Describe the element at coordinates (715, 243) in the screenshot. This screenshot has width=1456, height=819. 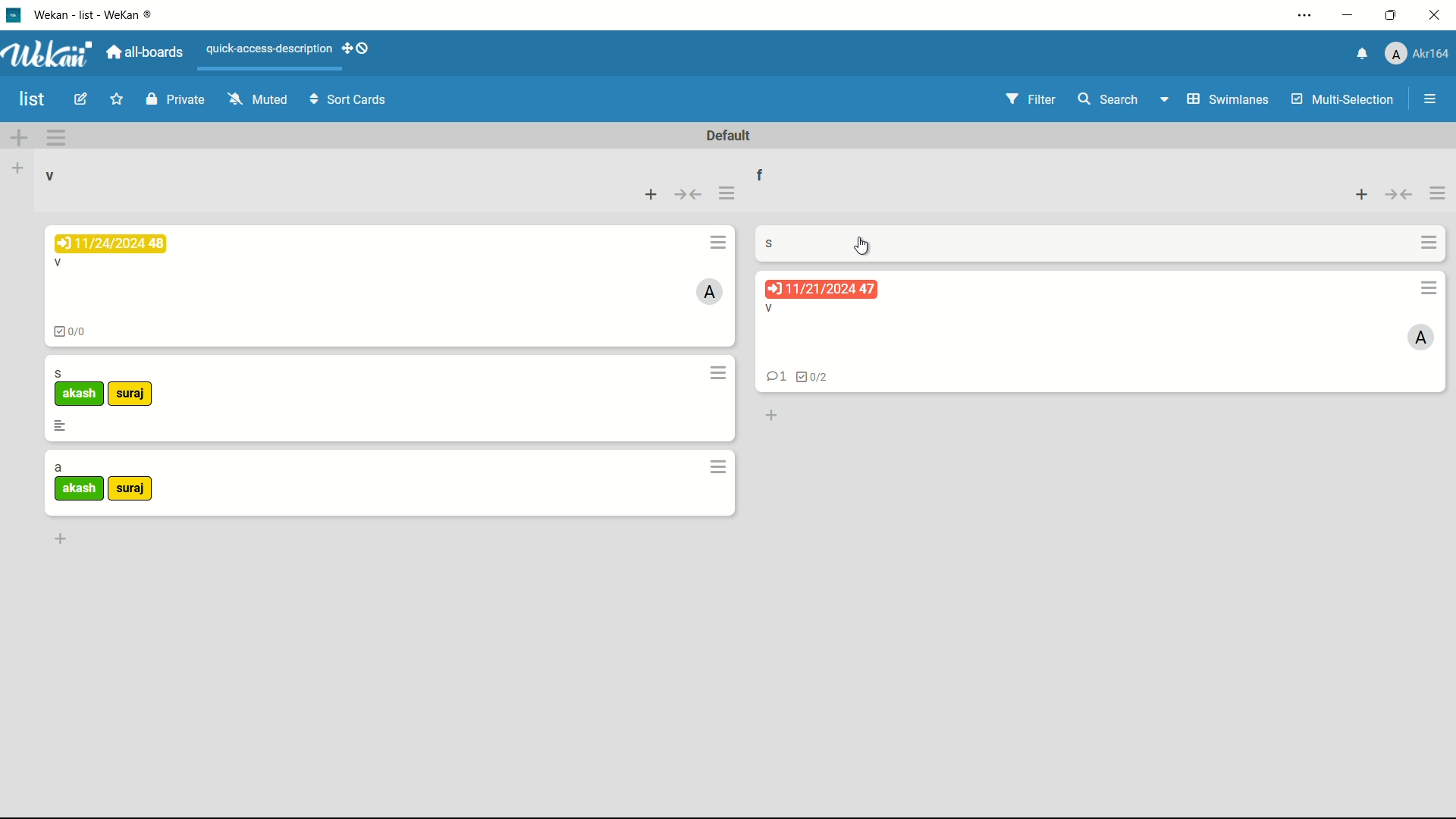
I see `card actions` at that location.